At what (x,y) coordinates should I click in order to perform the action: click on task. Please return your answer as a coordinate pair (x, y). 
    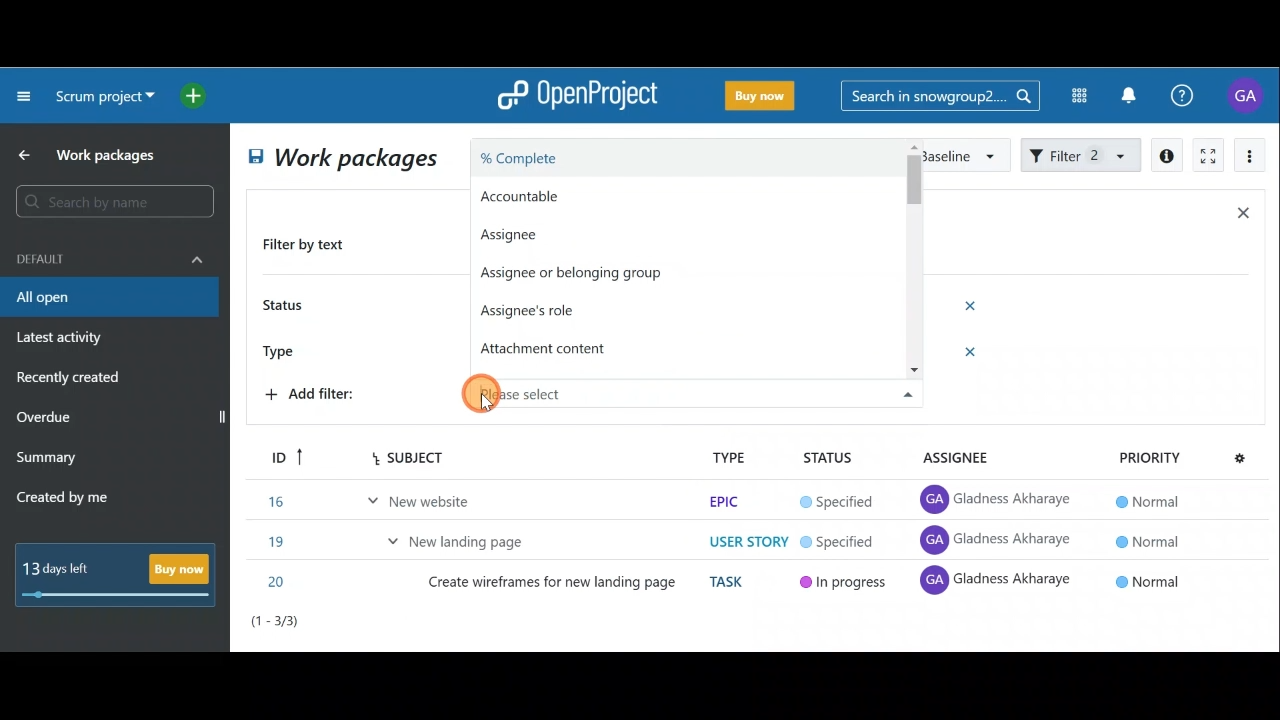
    Looking at the image, I should click on (730, 582).